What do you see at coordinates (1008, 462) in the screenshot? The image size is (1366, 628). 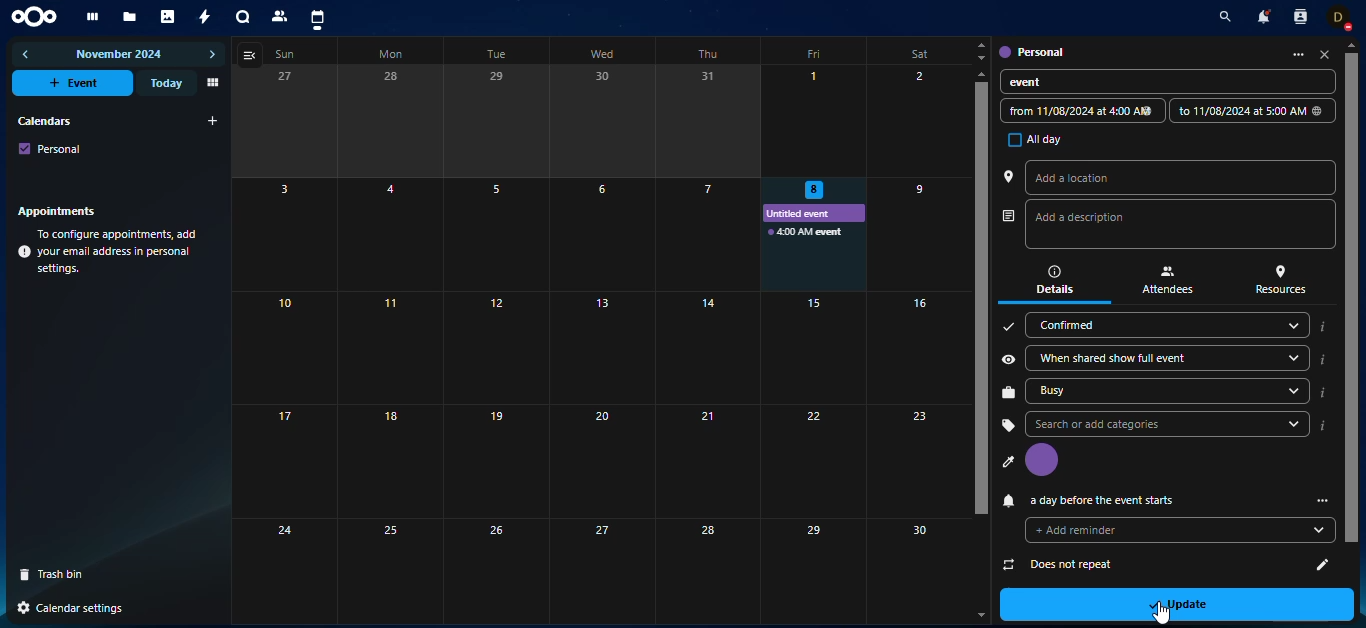 I see `profile` at bounding box center [1008, 462].